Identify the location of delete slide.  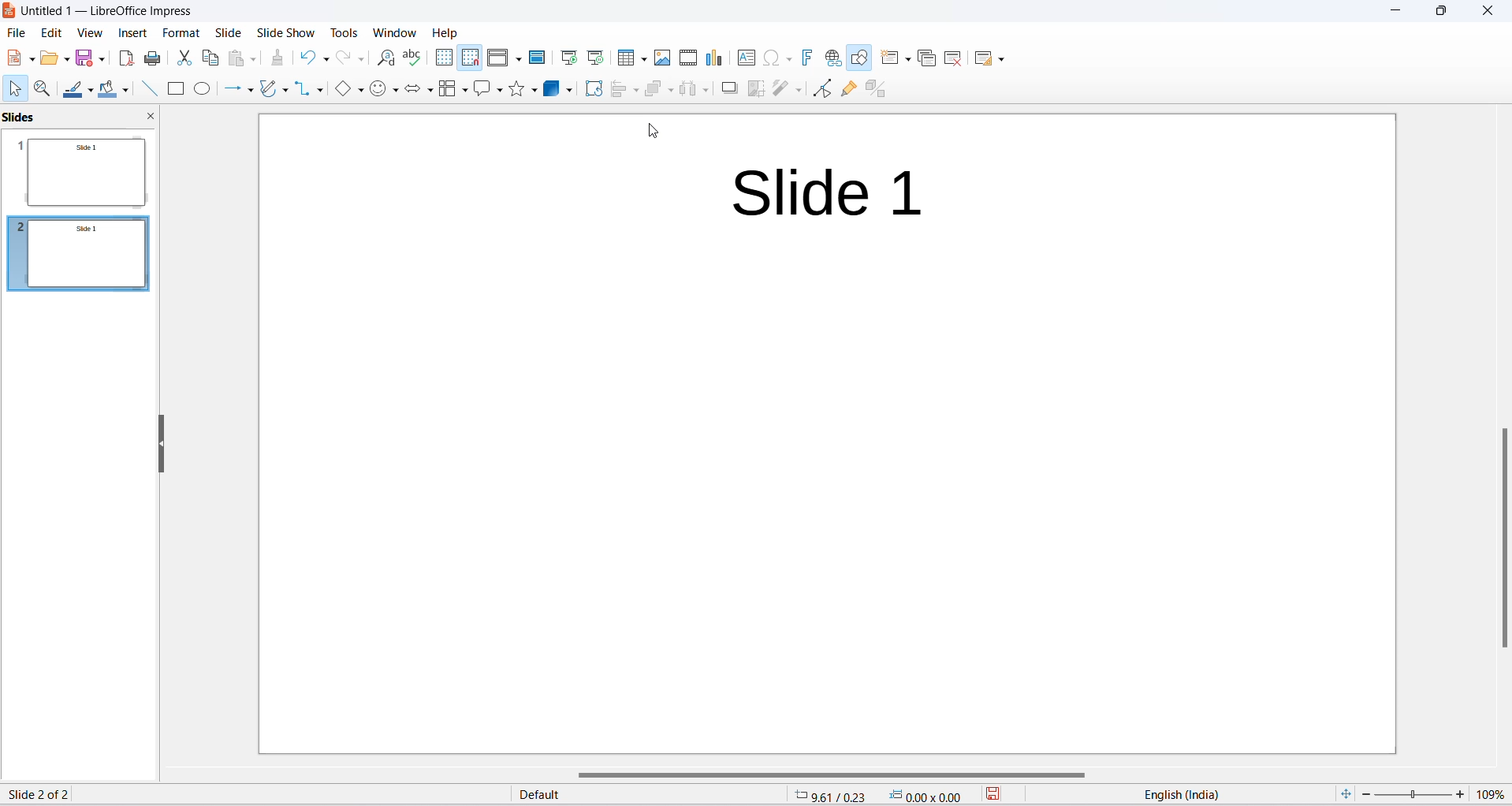
(955, 57).